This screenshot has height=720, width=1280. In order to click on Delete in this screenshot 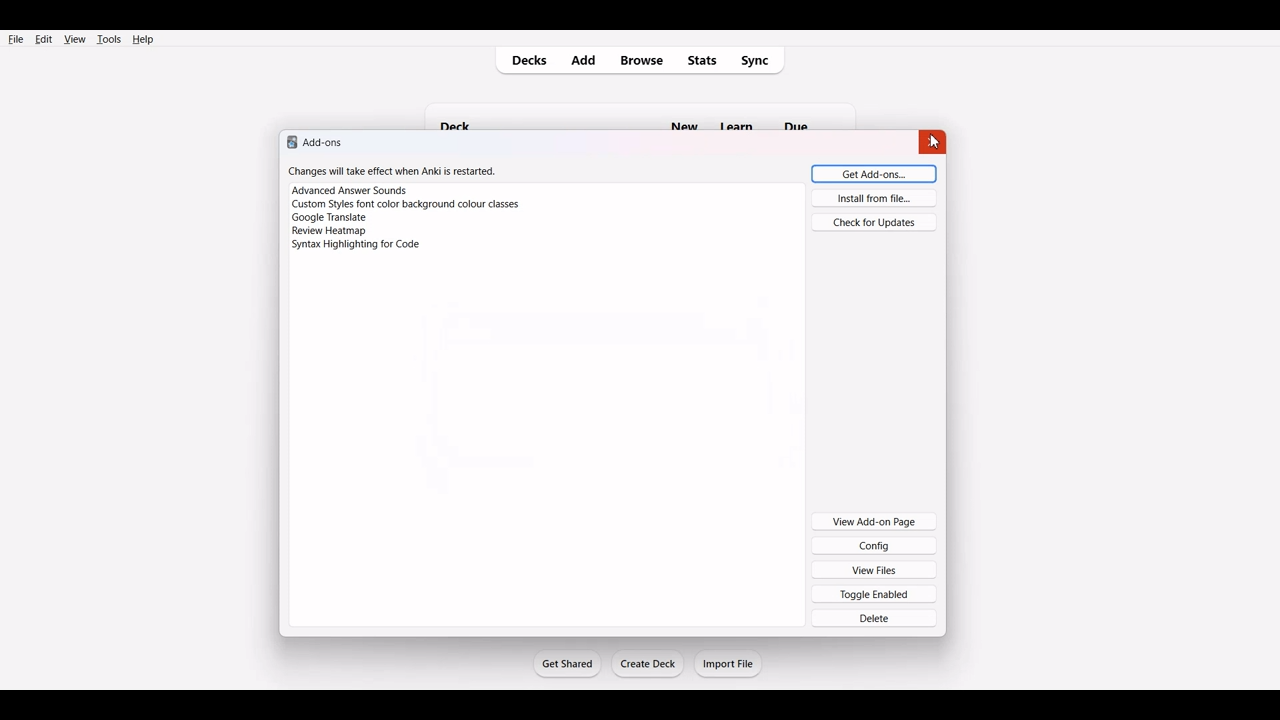, I will do `click(875, 618)`.